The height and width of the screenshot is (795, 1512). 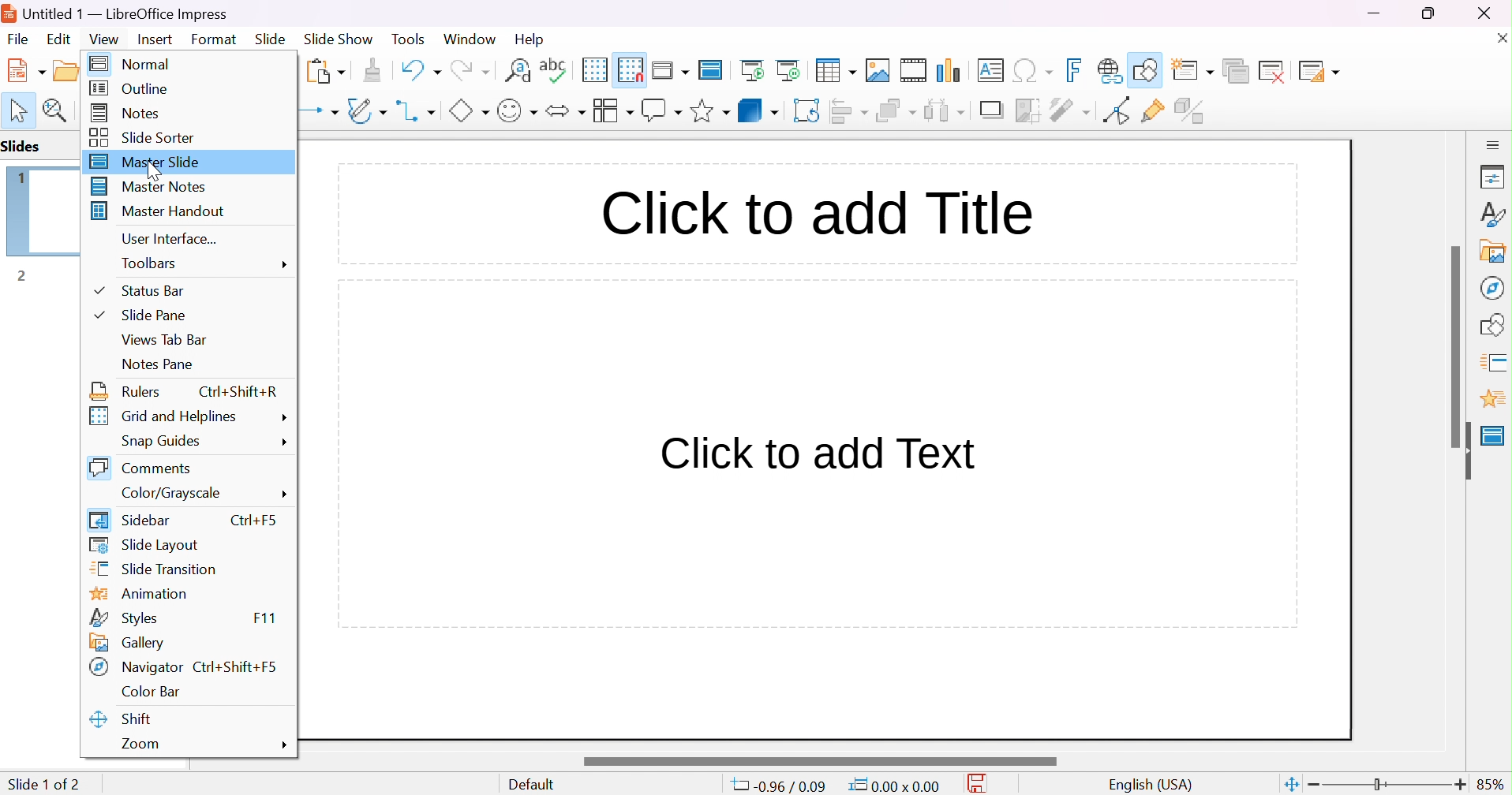 What do you see at coordinates (1290, 783) in the screenshot?
I see `fit slide to current window` at bounding box center [1290, 783].